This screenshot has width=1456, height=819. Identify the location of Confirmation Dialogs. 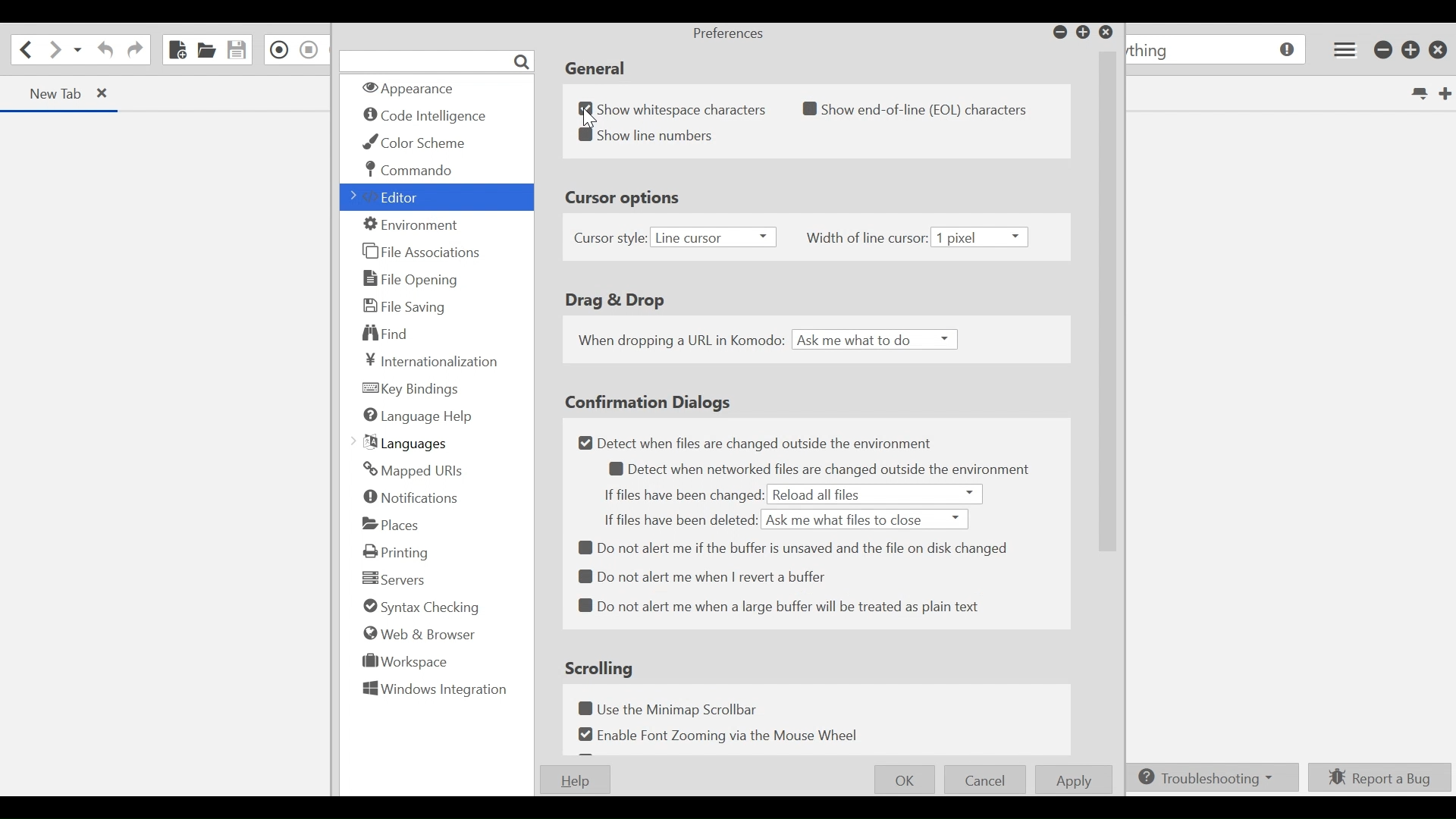
(648, 401).